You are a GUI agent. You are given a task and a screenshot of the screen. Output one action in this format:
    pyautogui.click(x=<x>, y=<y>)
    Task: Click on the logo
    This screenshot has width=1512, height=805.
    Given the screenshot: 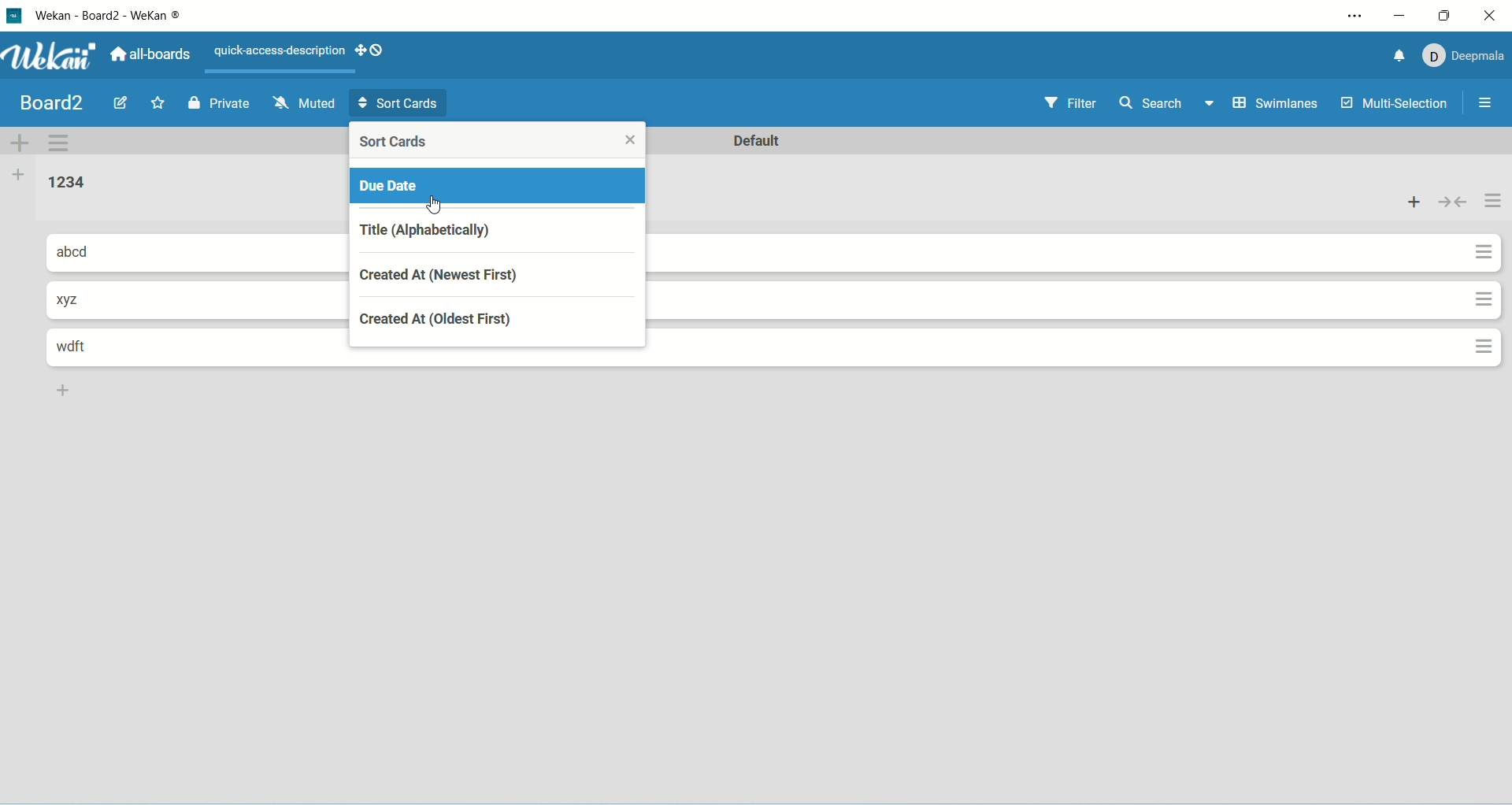 What is the action you would take?
    pyautogui.click(x=16, y=18)
    